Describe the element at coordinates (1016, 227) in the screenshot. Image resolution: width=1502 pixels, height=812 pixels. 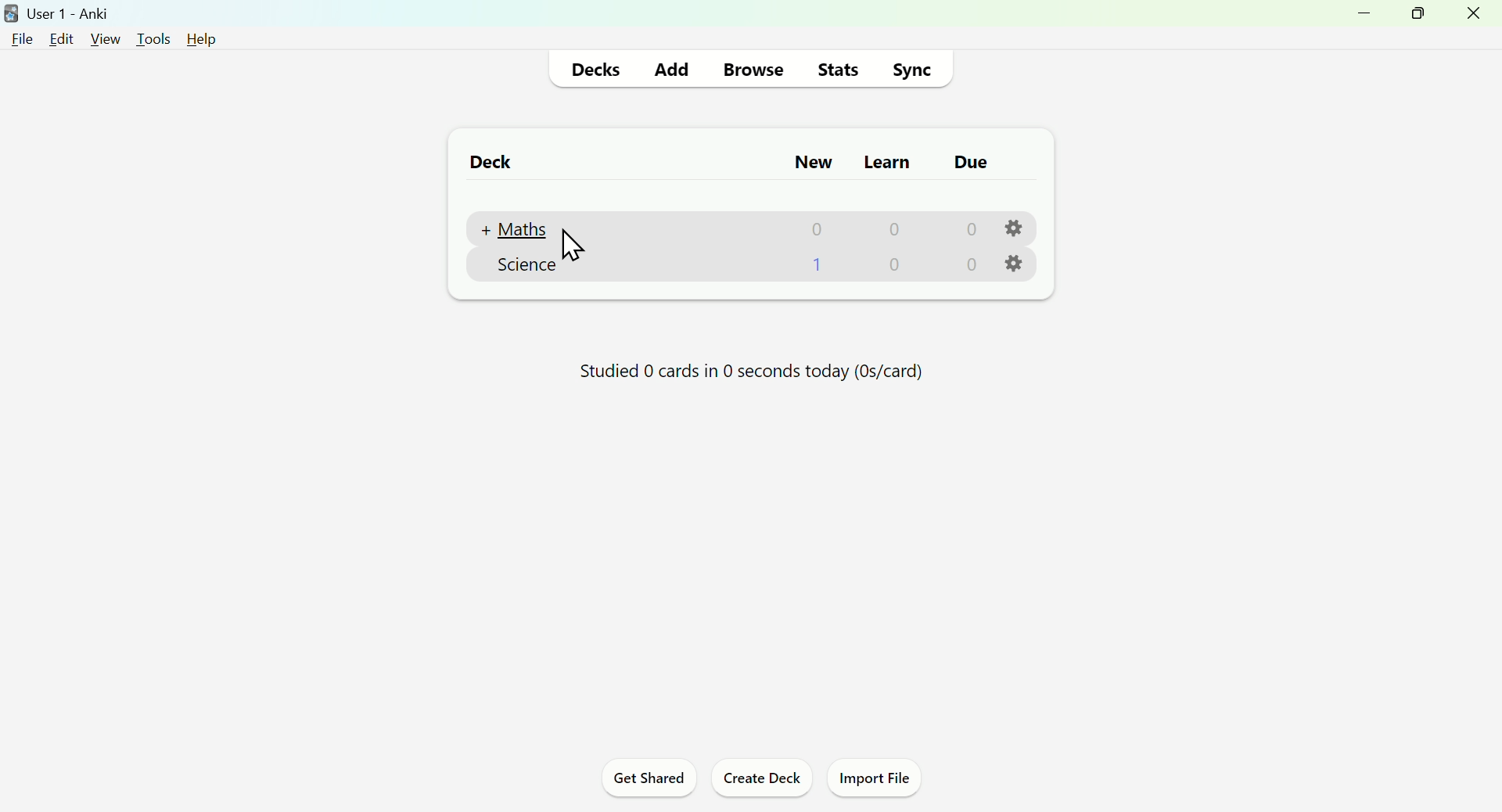
I see `settings` at that location.